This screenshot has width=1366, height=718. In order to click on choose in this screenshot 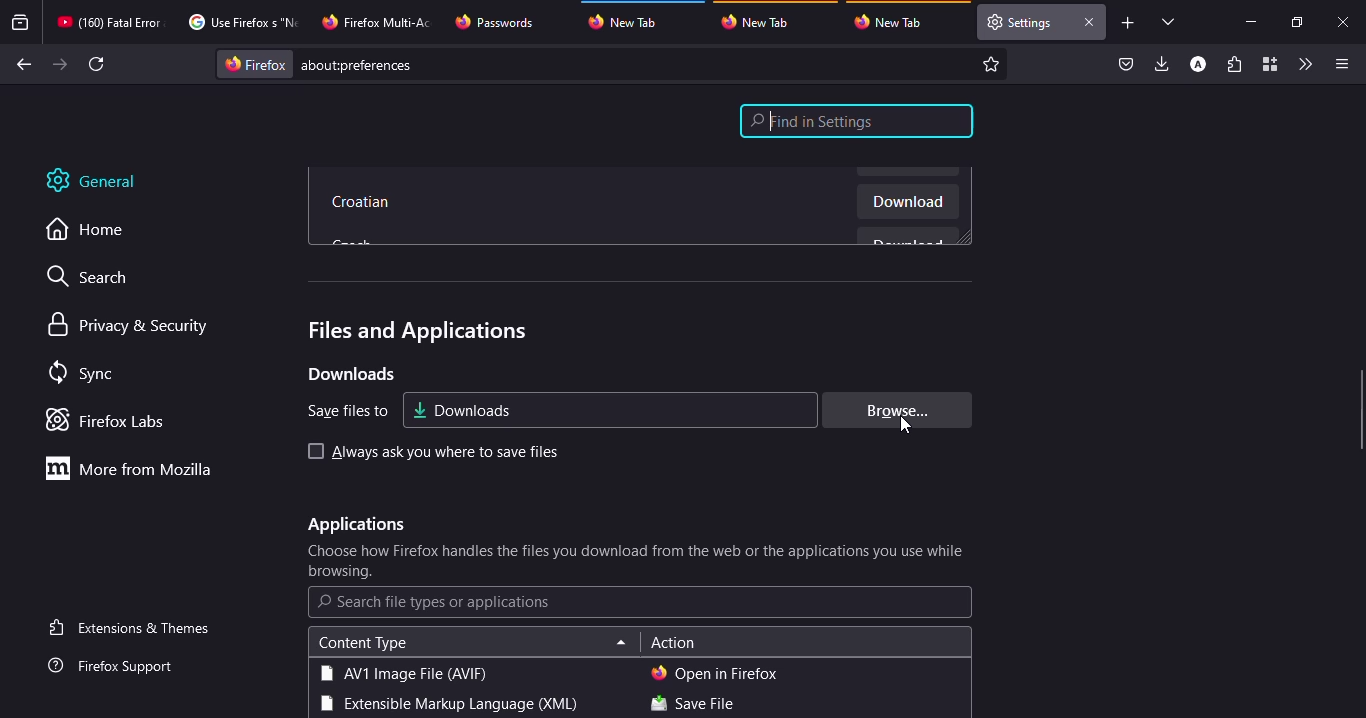, I will do `click(638, 562)`.